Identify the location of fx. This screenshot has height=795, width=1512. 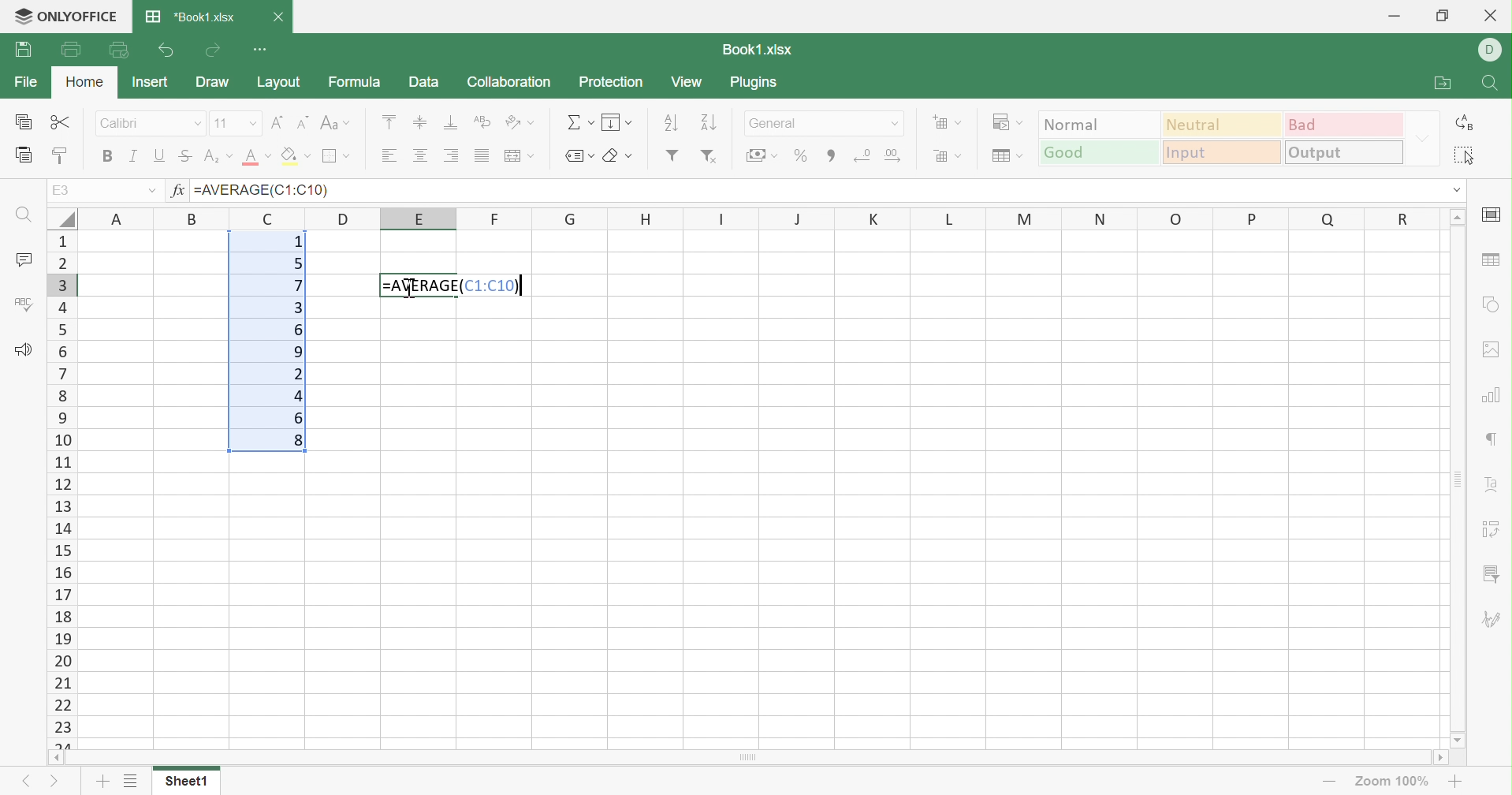
(182, 191).